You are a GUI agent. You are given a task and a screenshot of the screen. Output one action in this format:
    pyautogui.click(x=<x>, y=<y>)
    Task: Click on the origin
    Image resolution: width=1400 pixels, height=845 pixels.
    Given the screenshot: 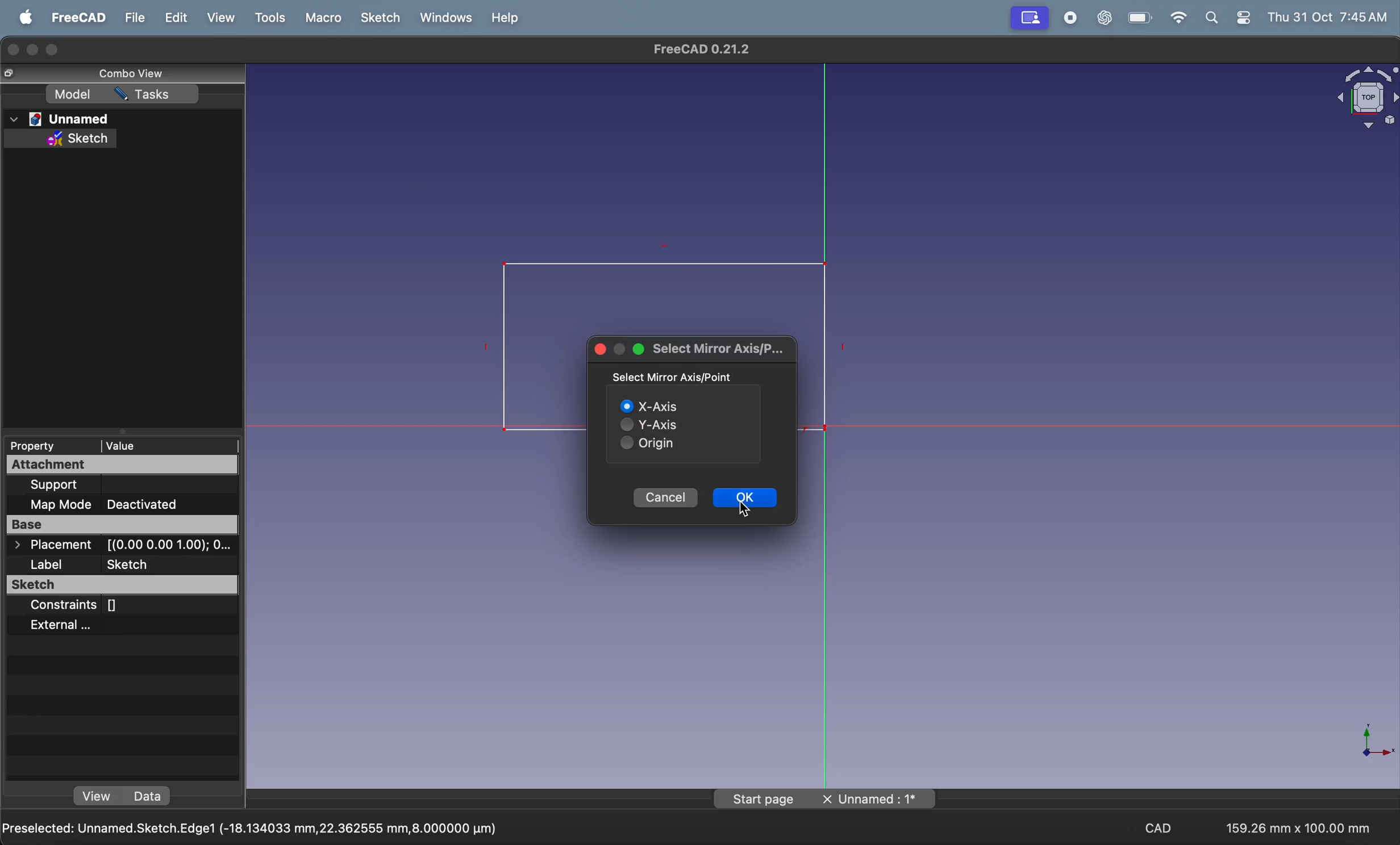 What is the action you would take?
    pyautogui.click(x=651, y=445)
    